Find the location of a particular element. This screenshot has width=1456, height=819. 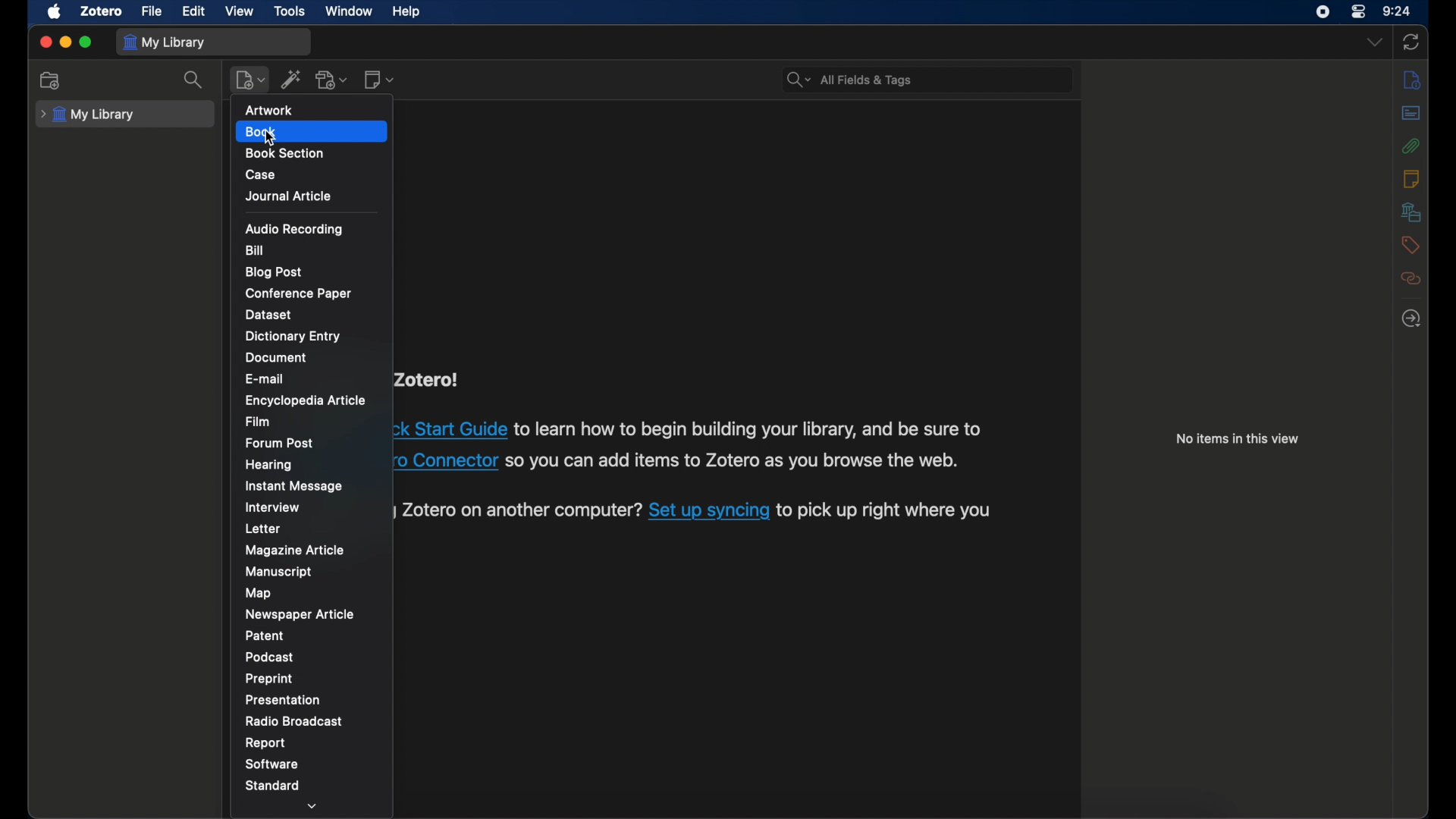

case is located at coordinates (263, 174).